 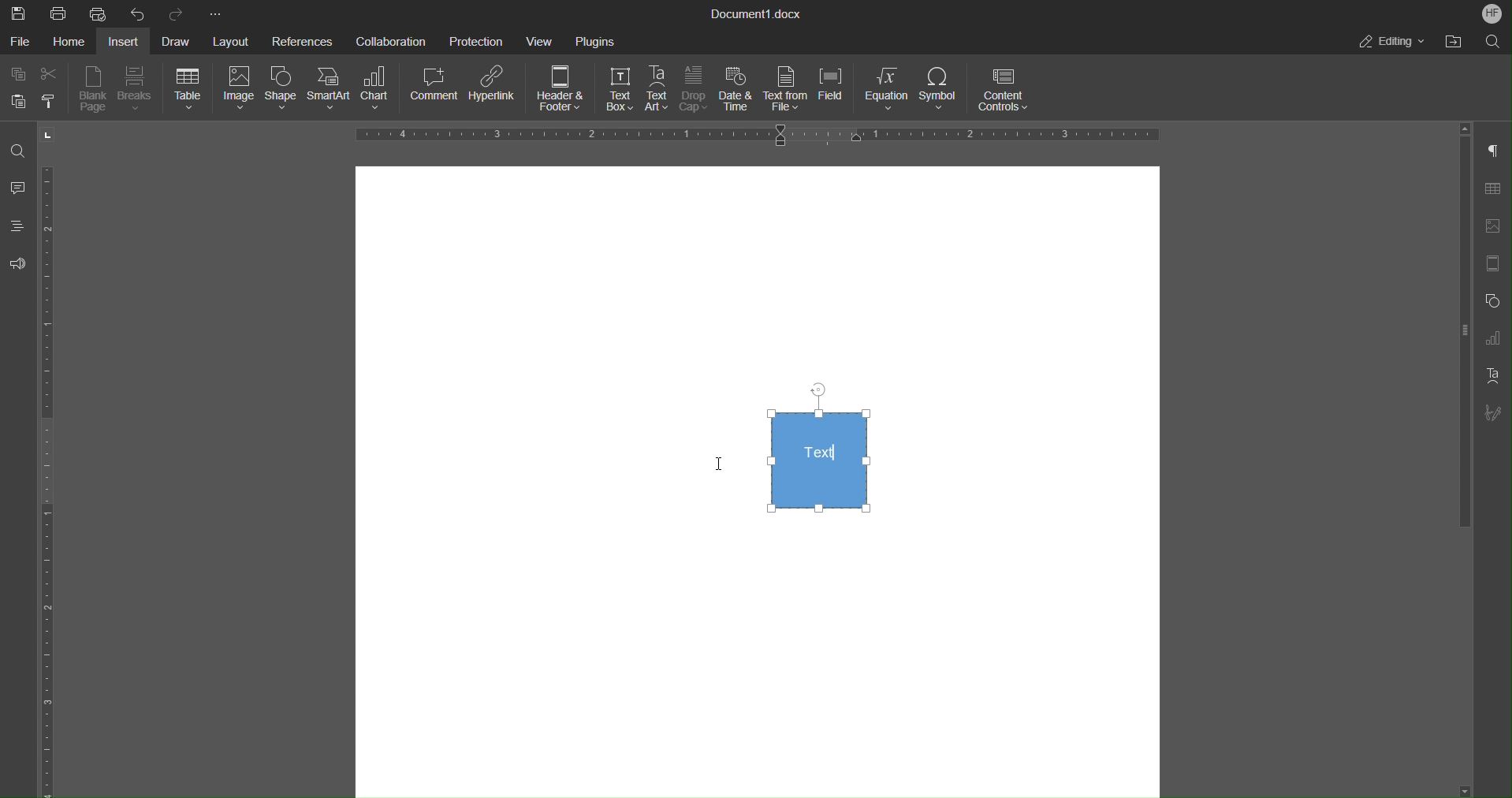 I want to click on Paragraph Settings, so click(x=1498, y=151).